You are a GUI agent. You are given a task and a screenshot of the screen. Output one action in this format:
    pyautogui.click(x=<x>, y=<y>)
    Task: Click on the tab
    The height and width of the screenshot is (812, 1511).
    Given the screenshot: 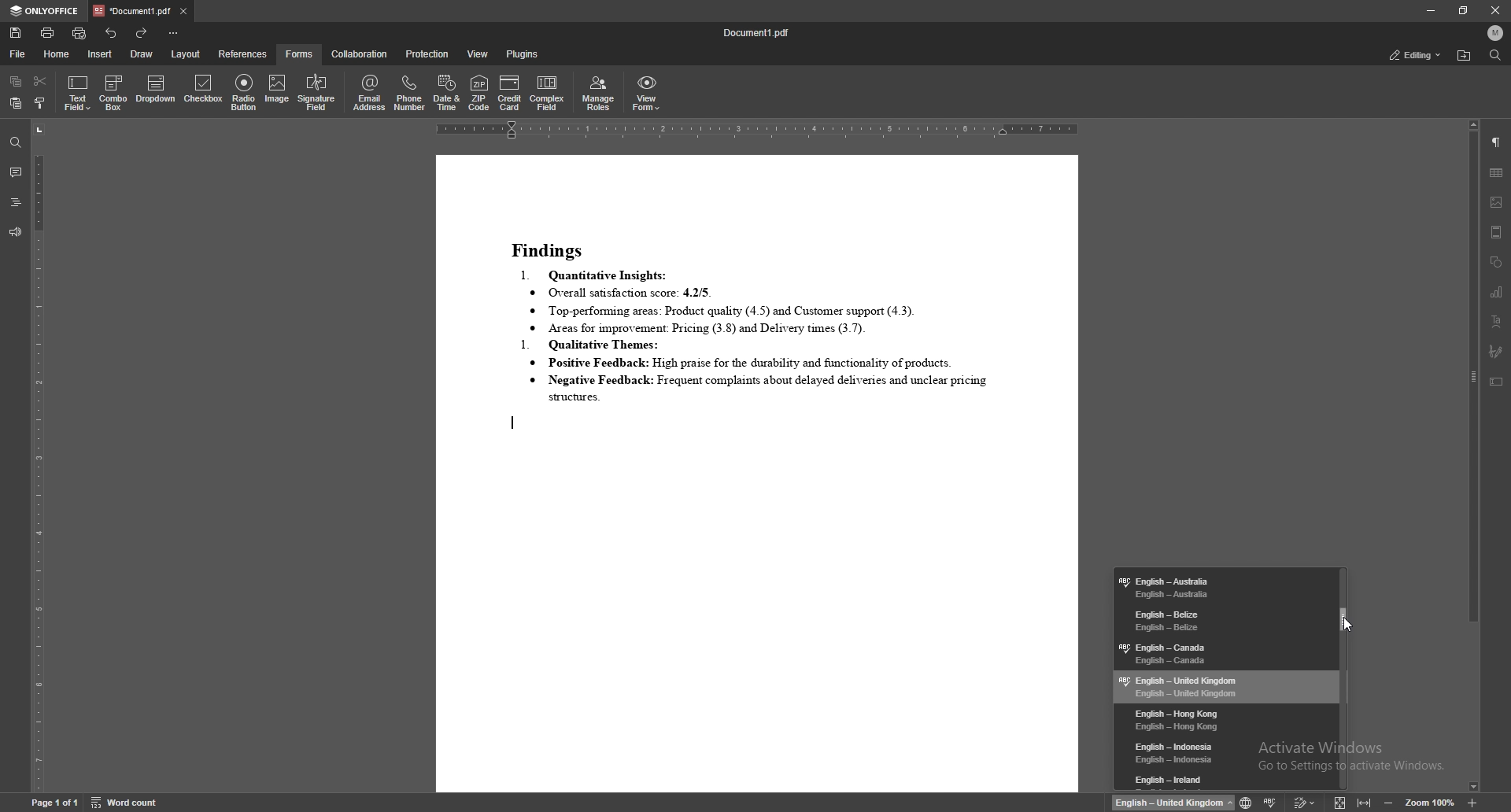 What is the action you would take?
    pyautogui.click(x=131, y=11)
    